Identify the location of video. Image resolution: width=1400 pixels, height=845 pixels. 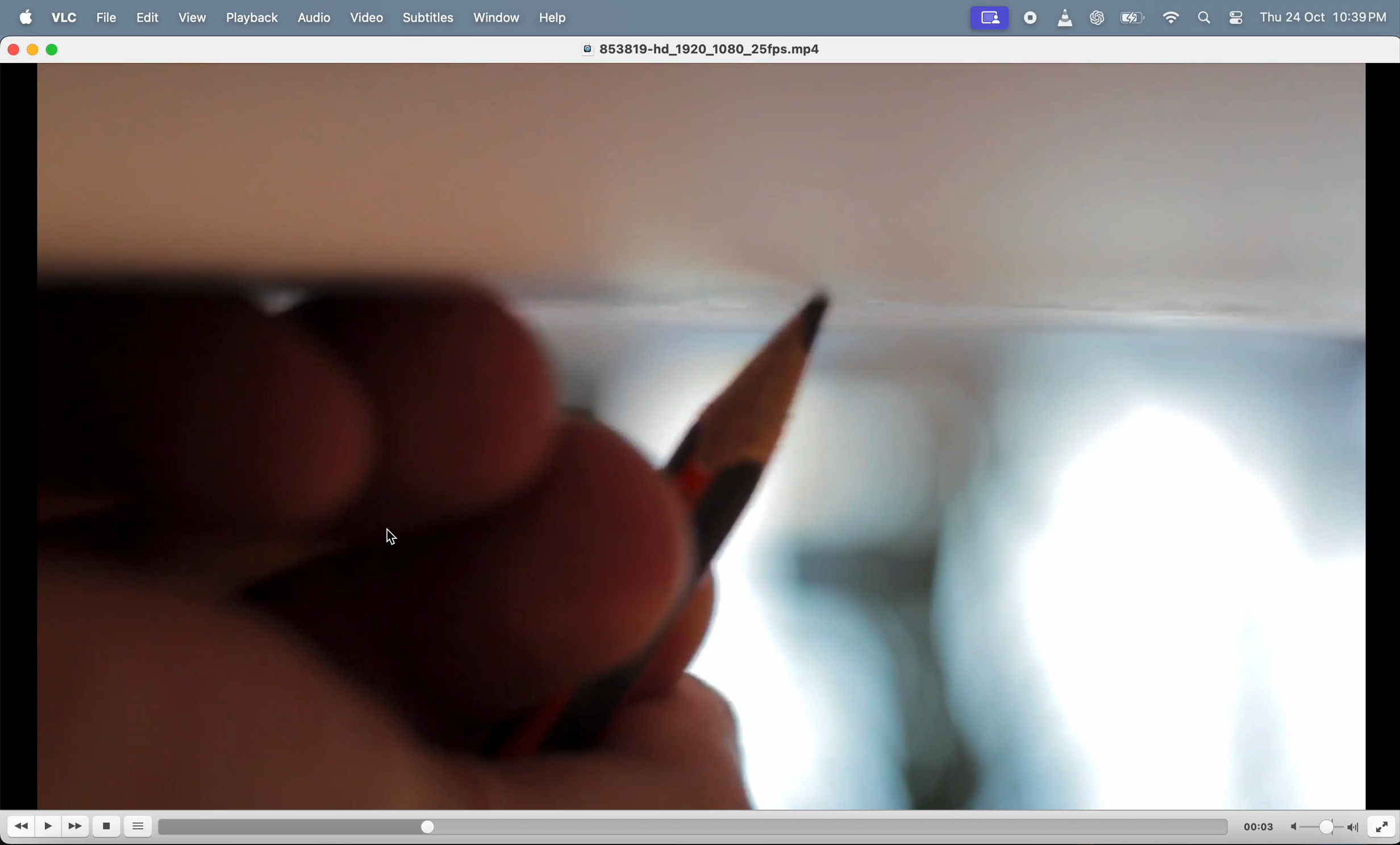
(367, 15).